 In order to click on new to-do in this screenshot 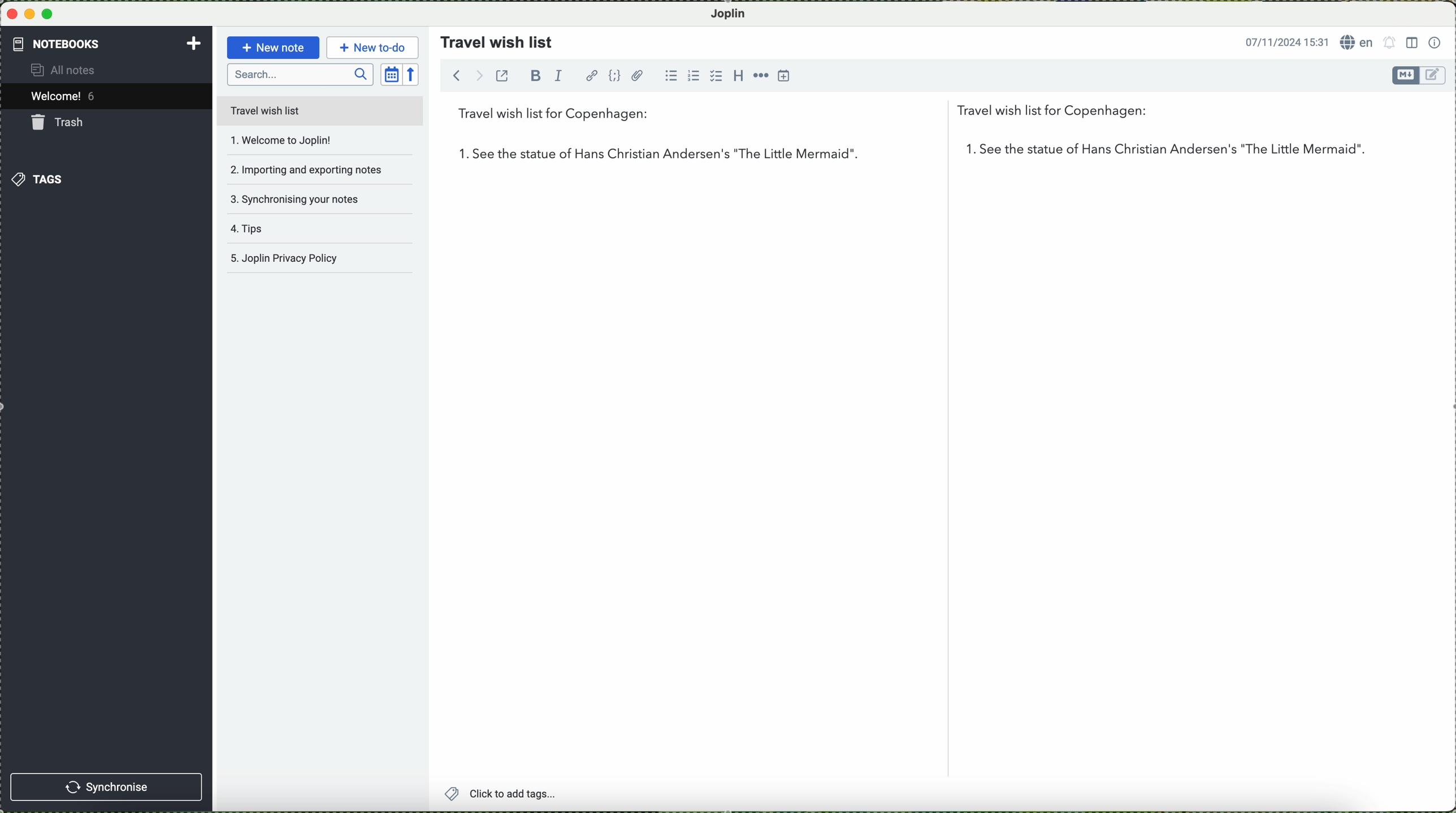, I will do `click(372, 46)`.